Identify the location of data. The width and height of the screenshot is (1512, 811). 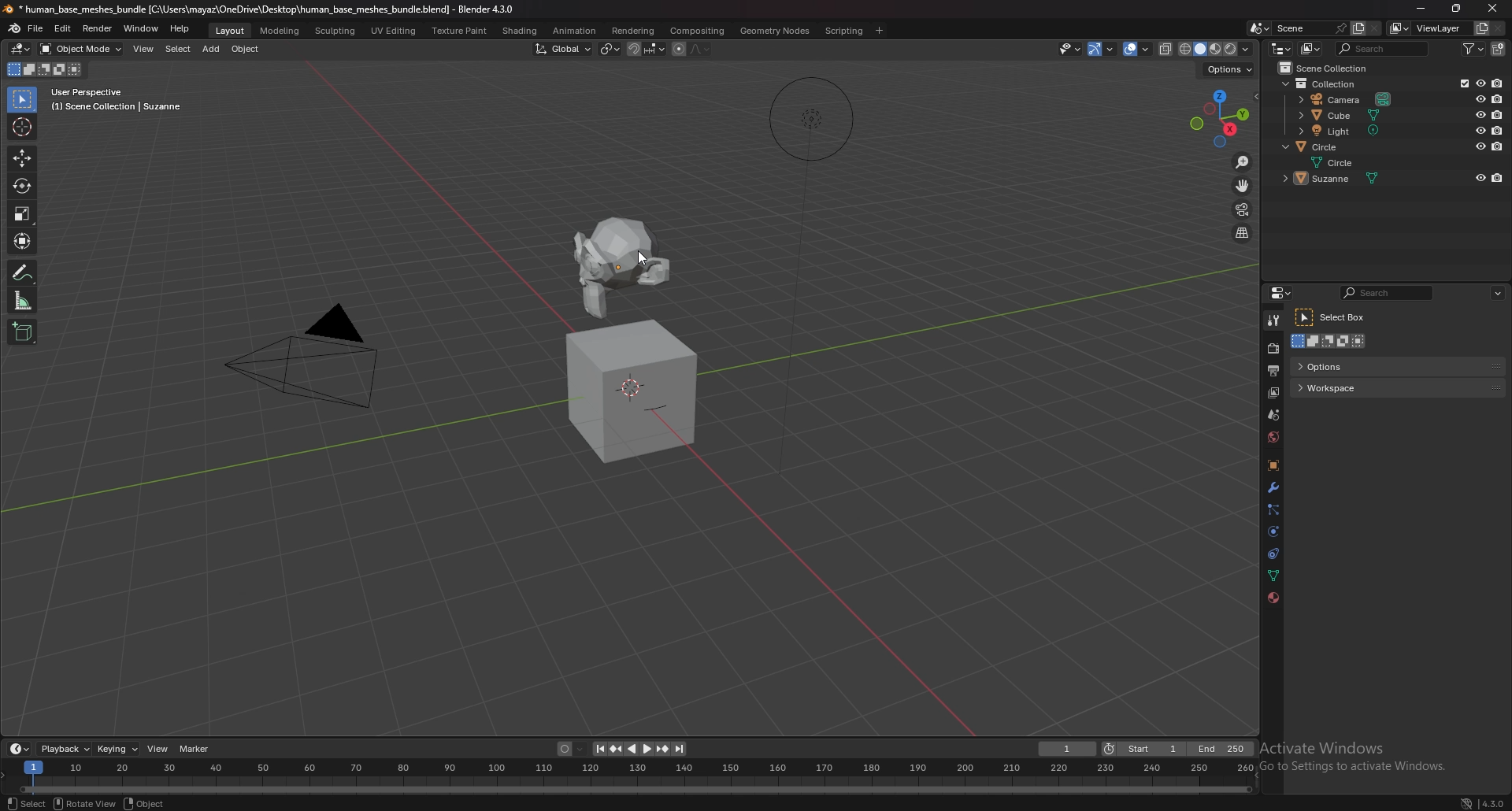
(1274, 576).